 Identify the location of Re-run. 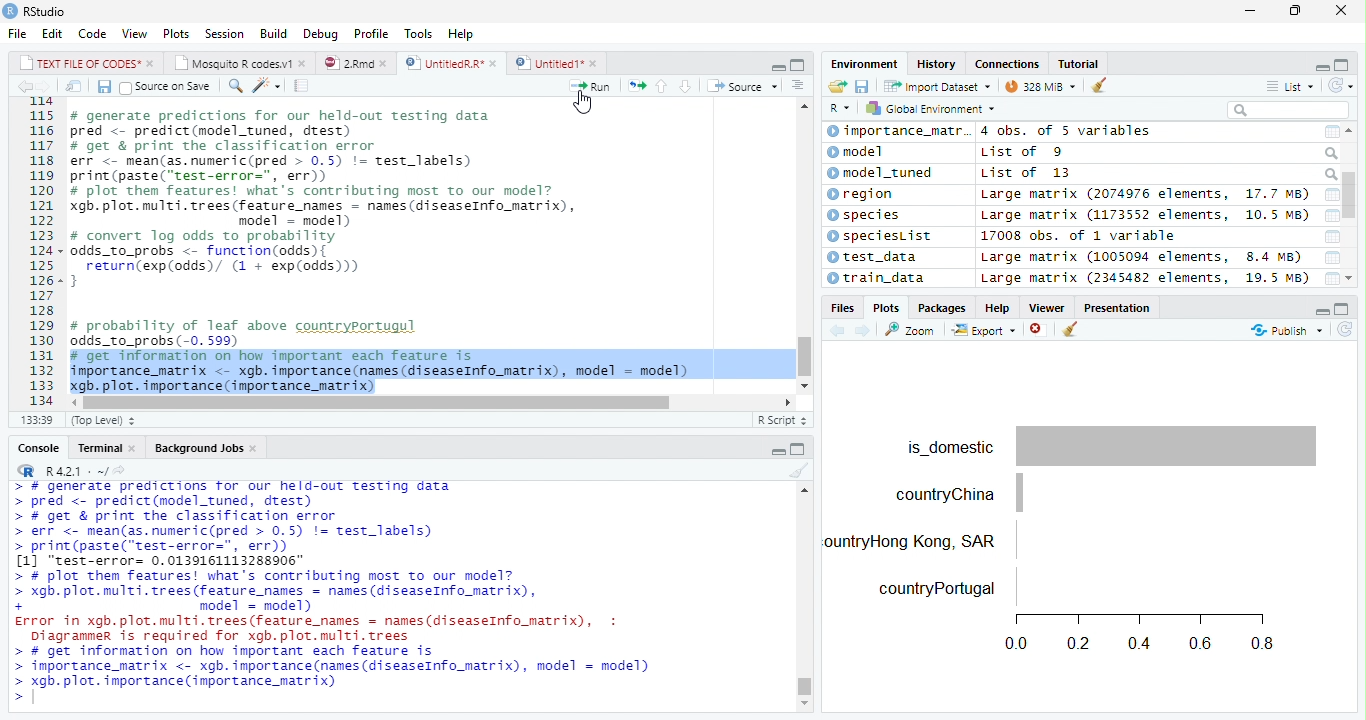
(633, 84).